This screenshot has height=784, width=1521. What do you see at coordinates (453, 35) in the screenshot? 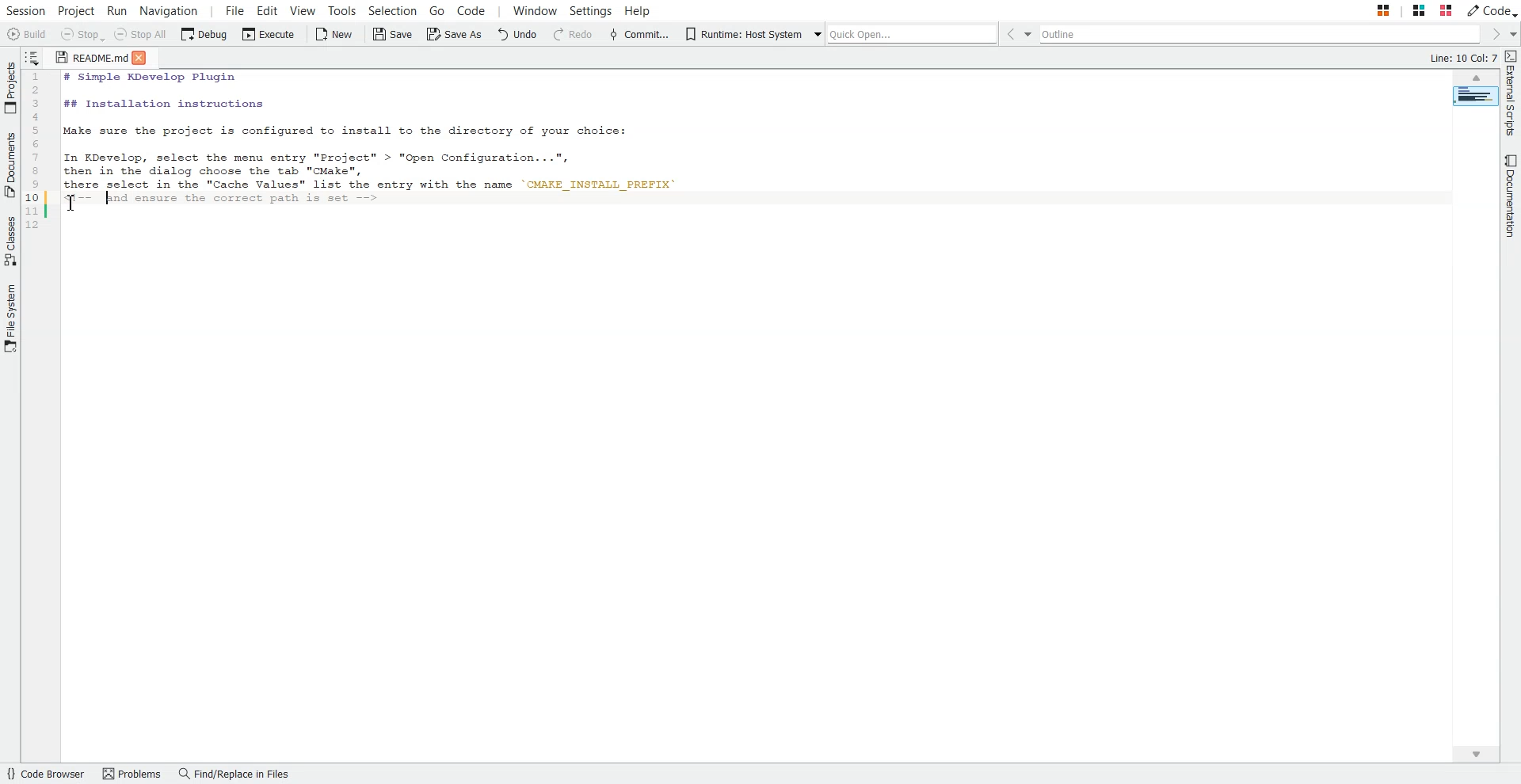
I see `Save As` at bounding box center [453, 35].